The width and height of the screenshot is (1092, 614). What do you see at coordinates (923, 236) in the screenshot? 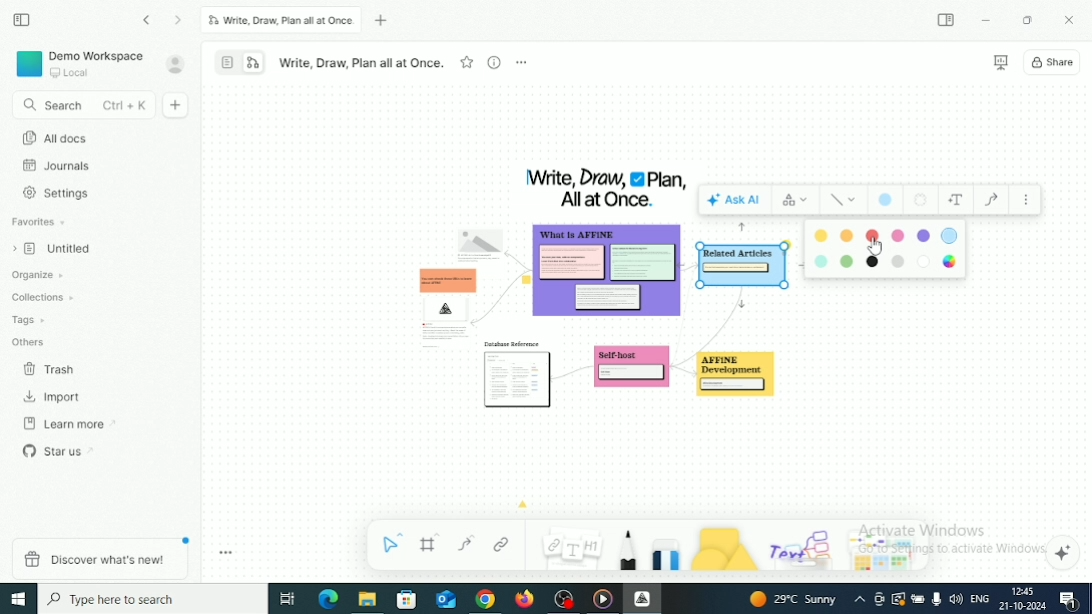
I see `Purple` at bounding box center [923, 236].